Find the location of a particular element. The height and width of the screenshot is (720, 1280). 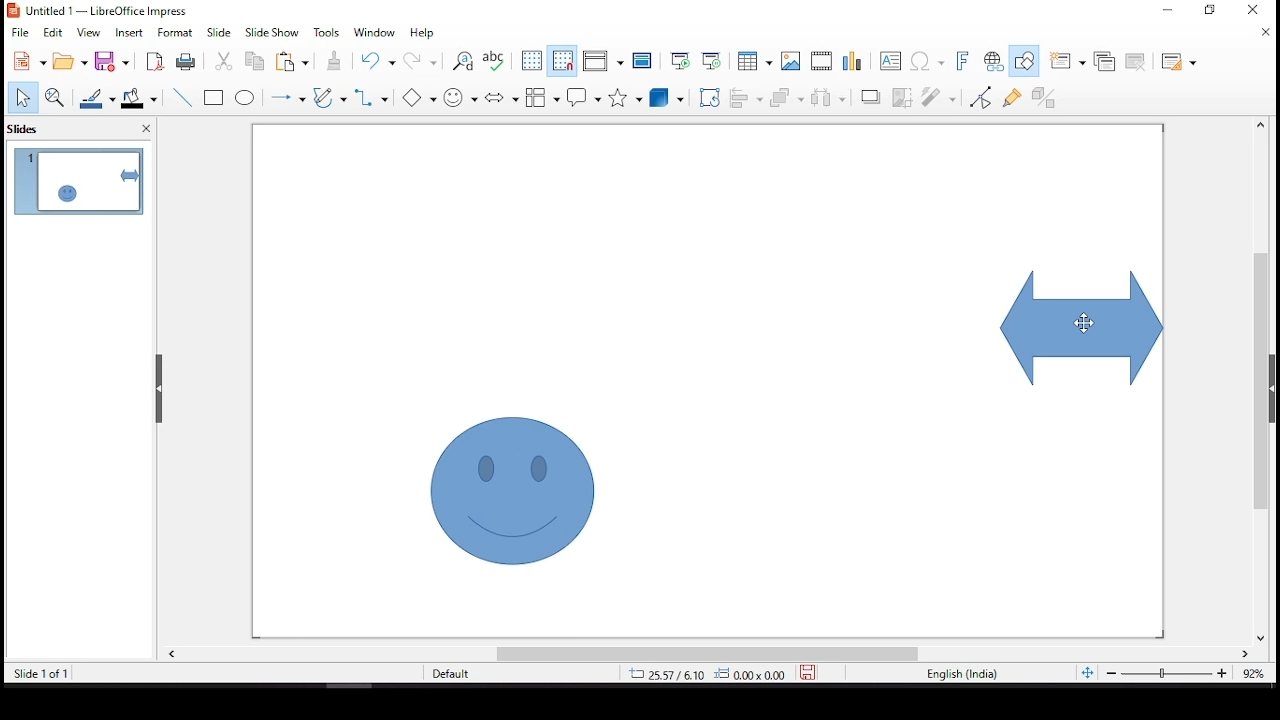

filter is located at coordinates (940, 94).